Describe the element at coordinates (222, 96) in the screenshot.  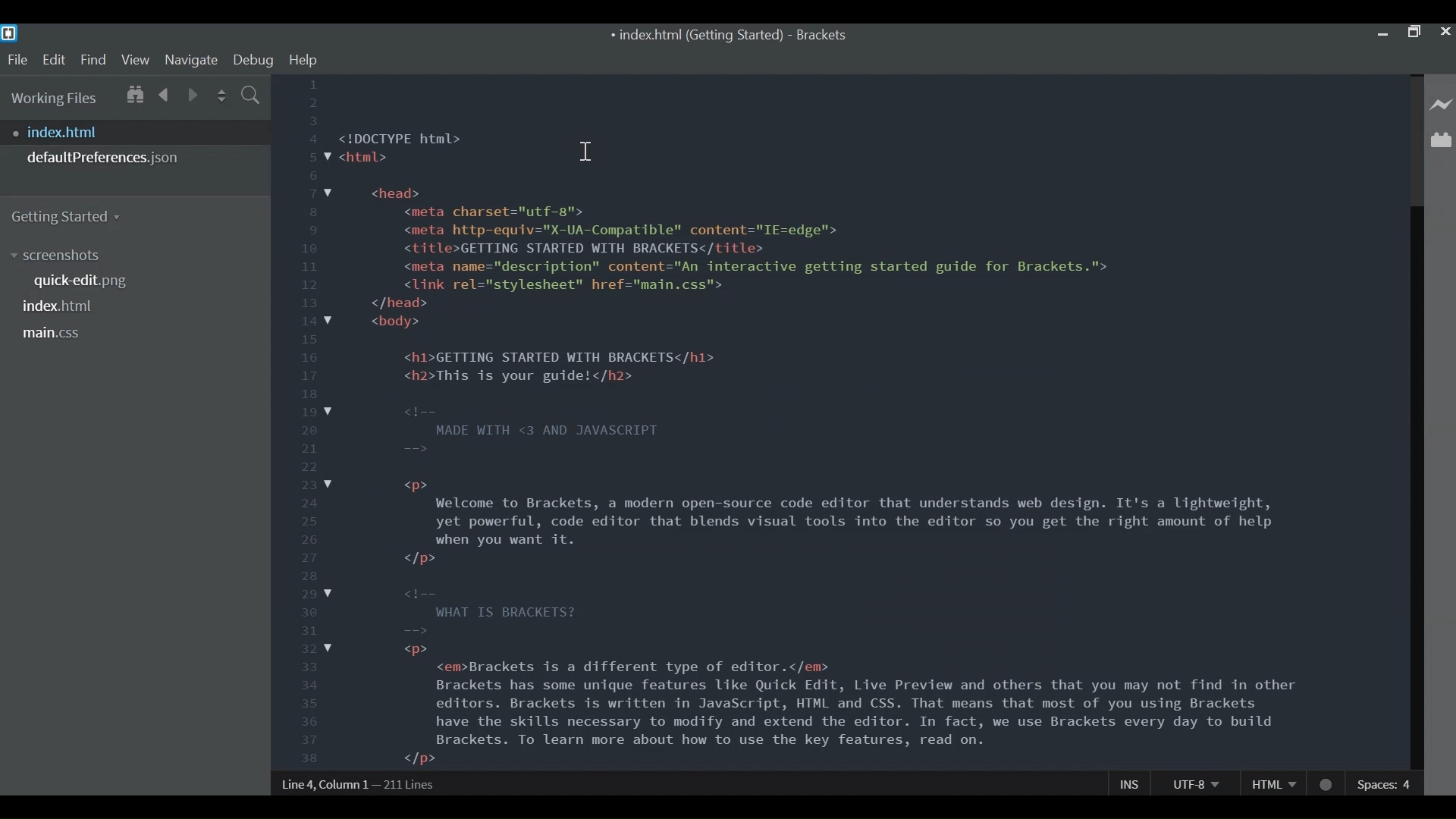
I see `Split the File Vertically or Horizontally` at that location.